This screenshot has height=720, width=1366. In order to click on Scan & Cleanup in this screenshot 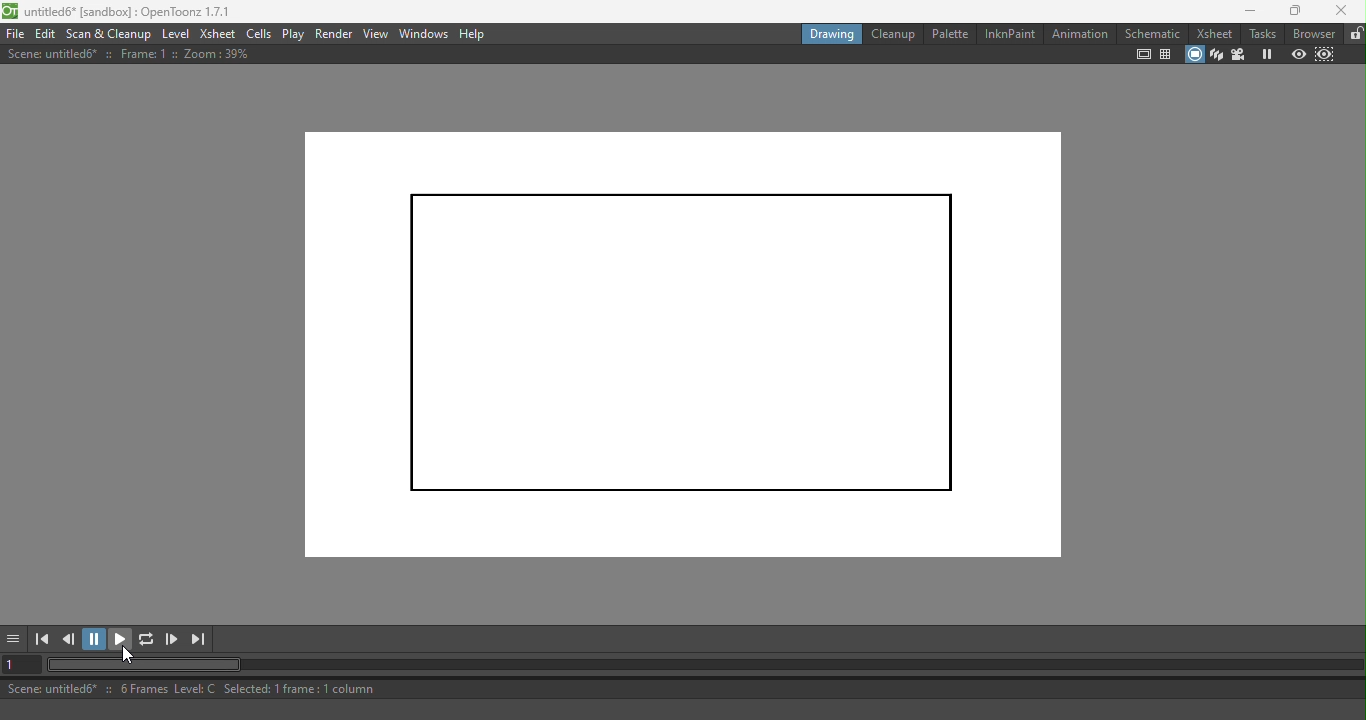, I will do `click(109, 34)`.